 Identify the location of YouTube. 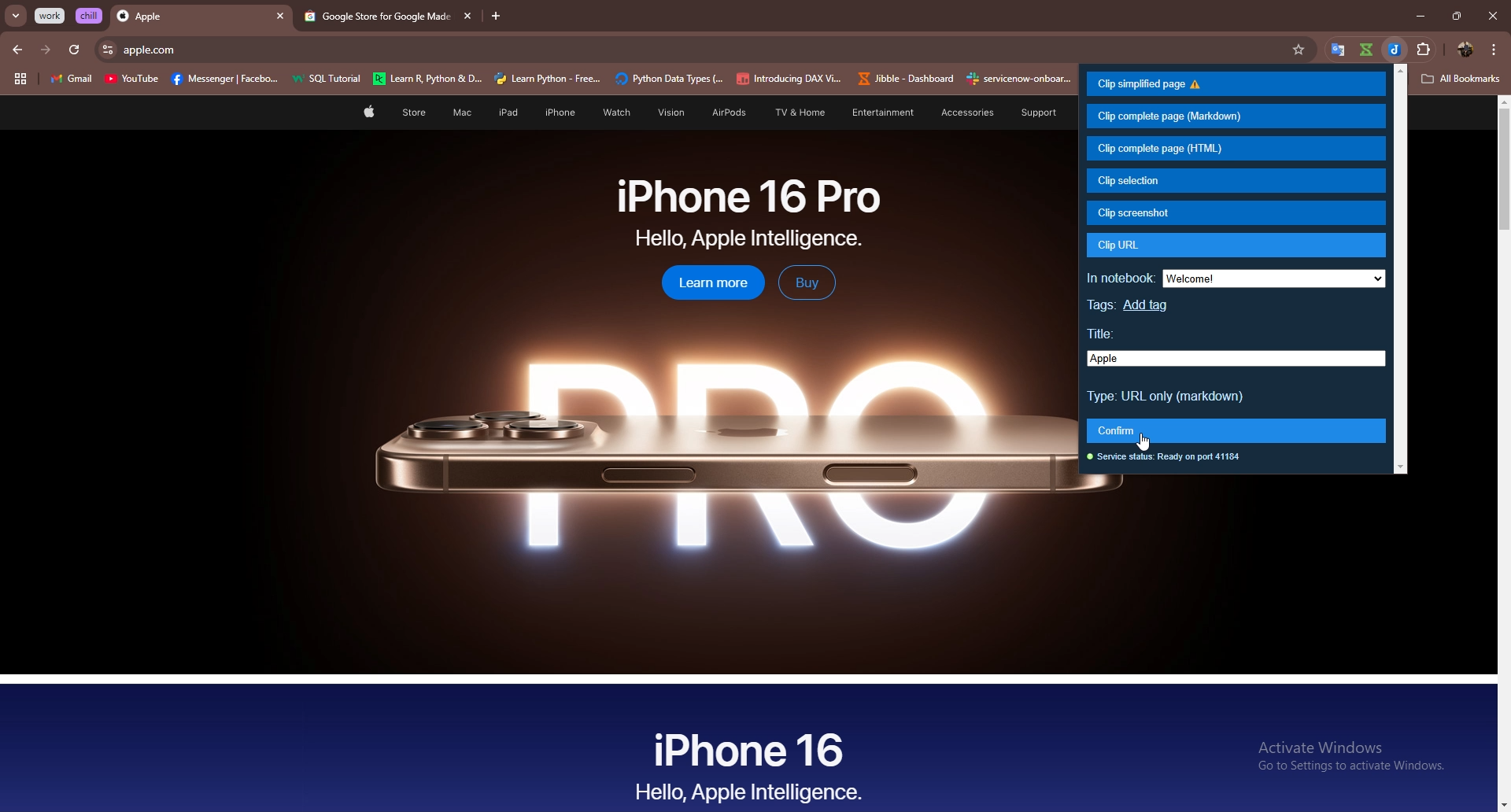
(131, 81).